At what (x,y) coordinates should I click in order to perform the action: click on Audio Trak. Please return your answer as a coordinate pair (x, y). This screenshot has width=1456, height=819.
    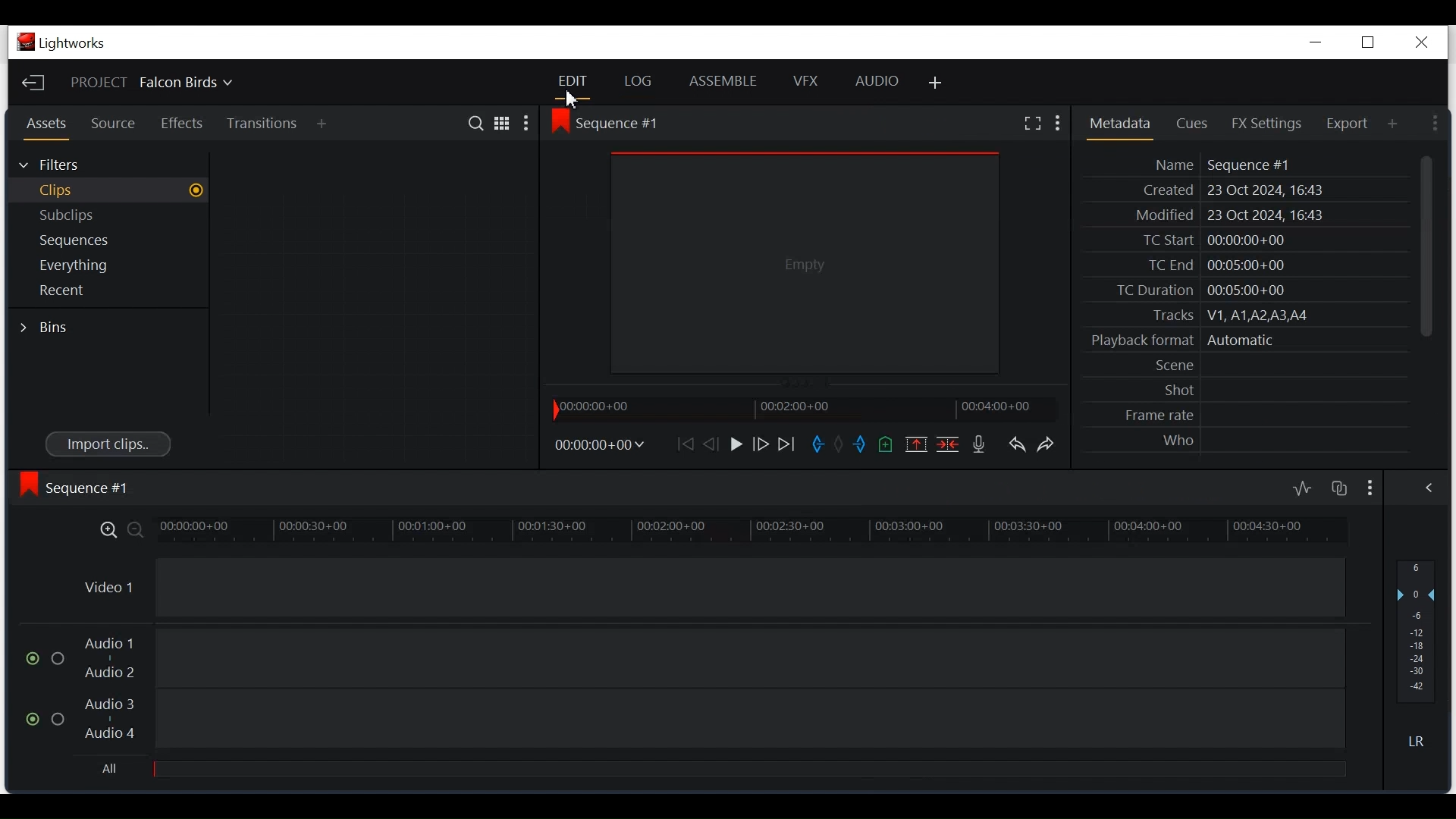
    Looking at the image, I should click on (680, 688).